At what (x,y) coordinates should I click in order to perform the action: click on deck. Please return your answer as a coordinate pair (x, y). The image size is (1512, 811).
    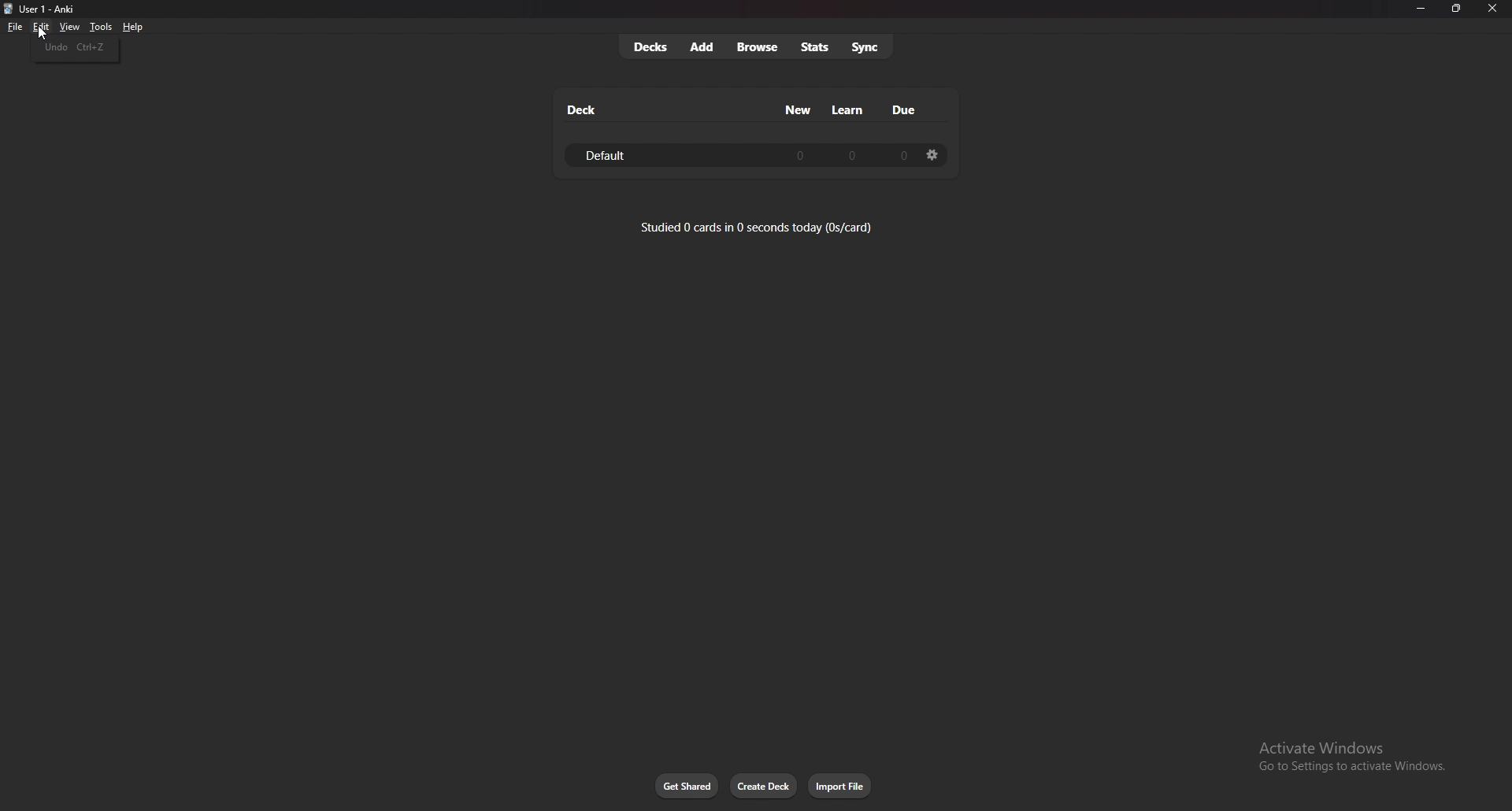
    Looking at the image, I should click on (580, 109).